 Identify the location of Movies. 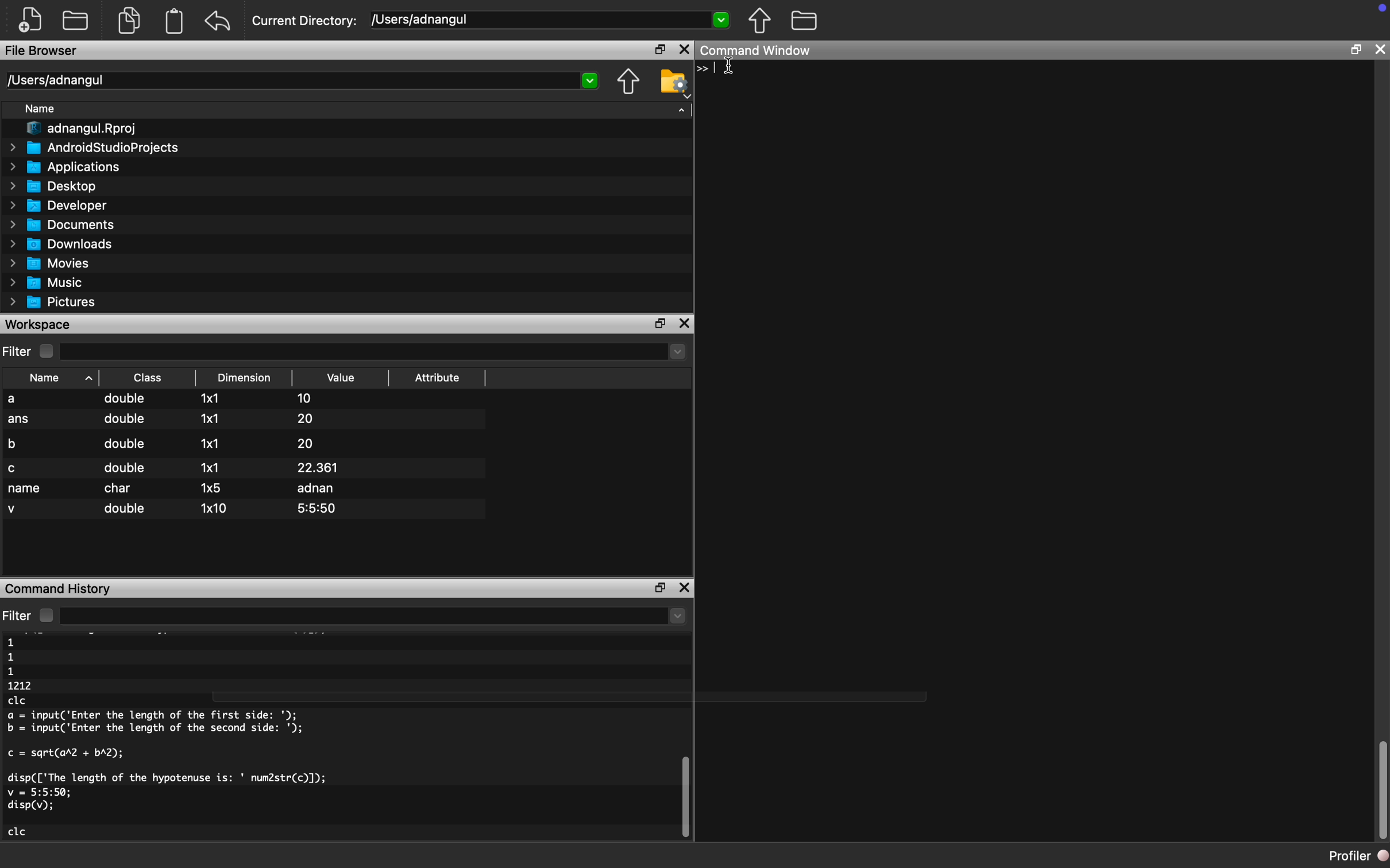
(48, 263).